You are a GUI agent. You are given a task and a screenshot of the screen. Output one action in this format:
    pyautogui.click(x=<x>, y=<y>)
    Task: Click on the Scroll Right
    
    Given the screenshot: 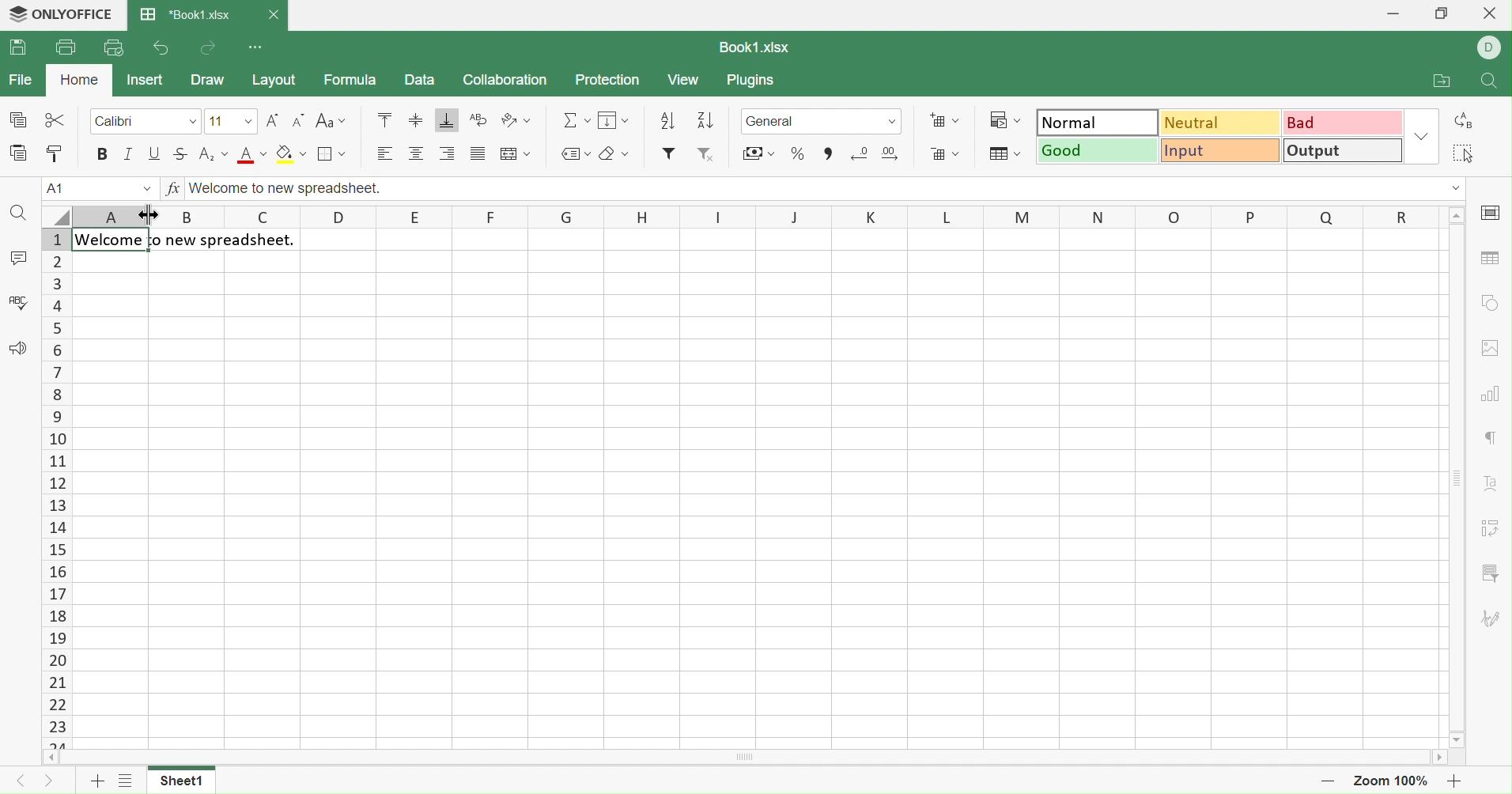 What is the action you would take?
    pyautogui.click(x=1443, y=758)
    